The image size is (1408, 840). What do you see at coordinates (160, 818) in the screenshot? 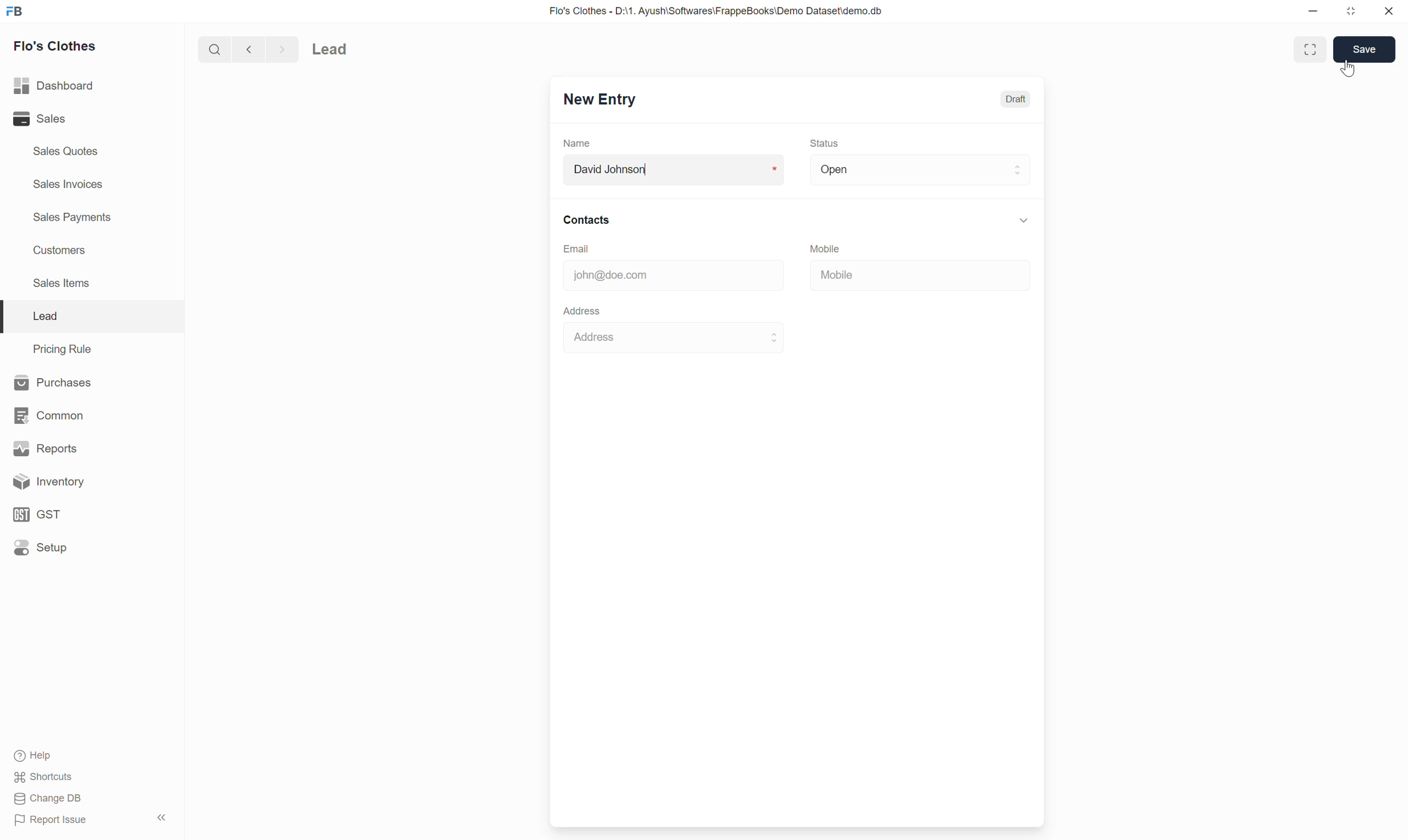
I see `Hide sidebar` at bounding box center [160, 818].